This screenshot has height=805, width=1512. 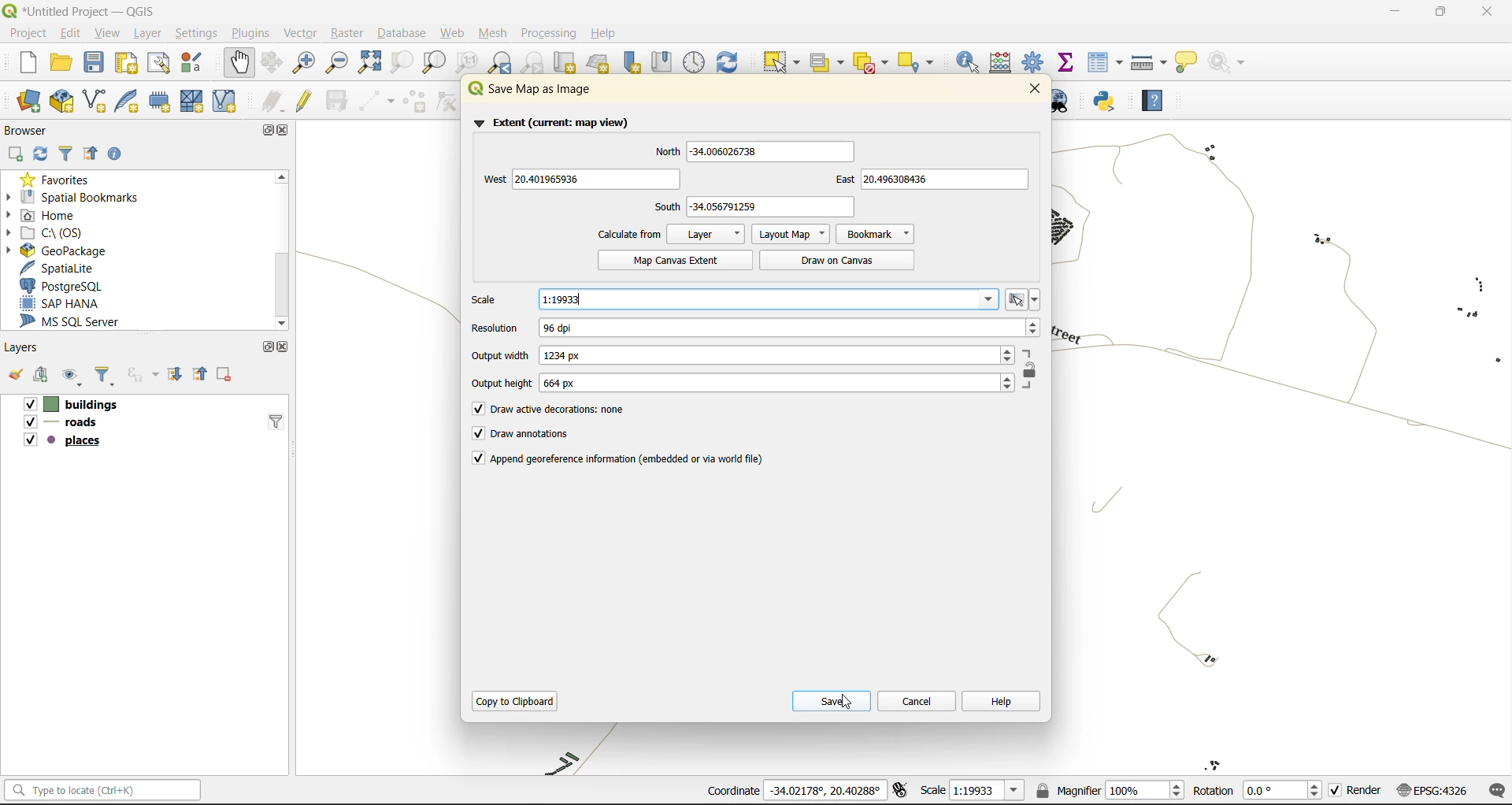 What do you see at coordinates (335, 101) in the screenshot?
I see `save edits` at bounding box center [335, 101].